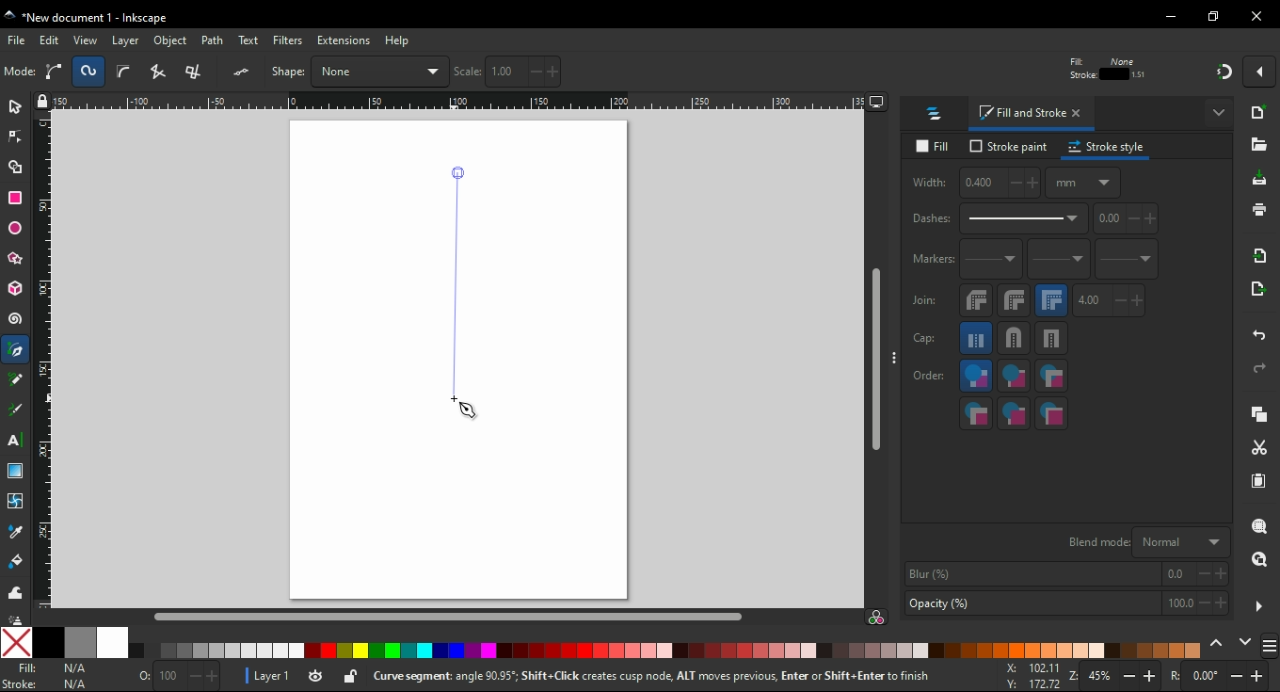  What do you see at coordinates (17, 532) in the screenshot?
I see `dropper tool` at bounding box center [17, 532].